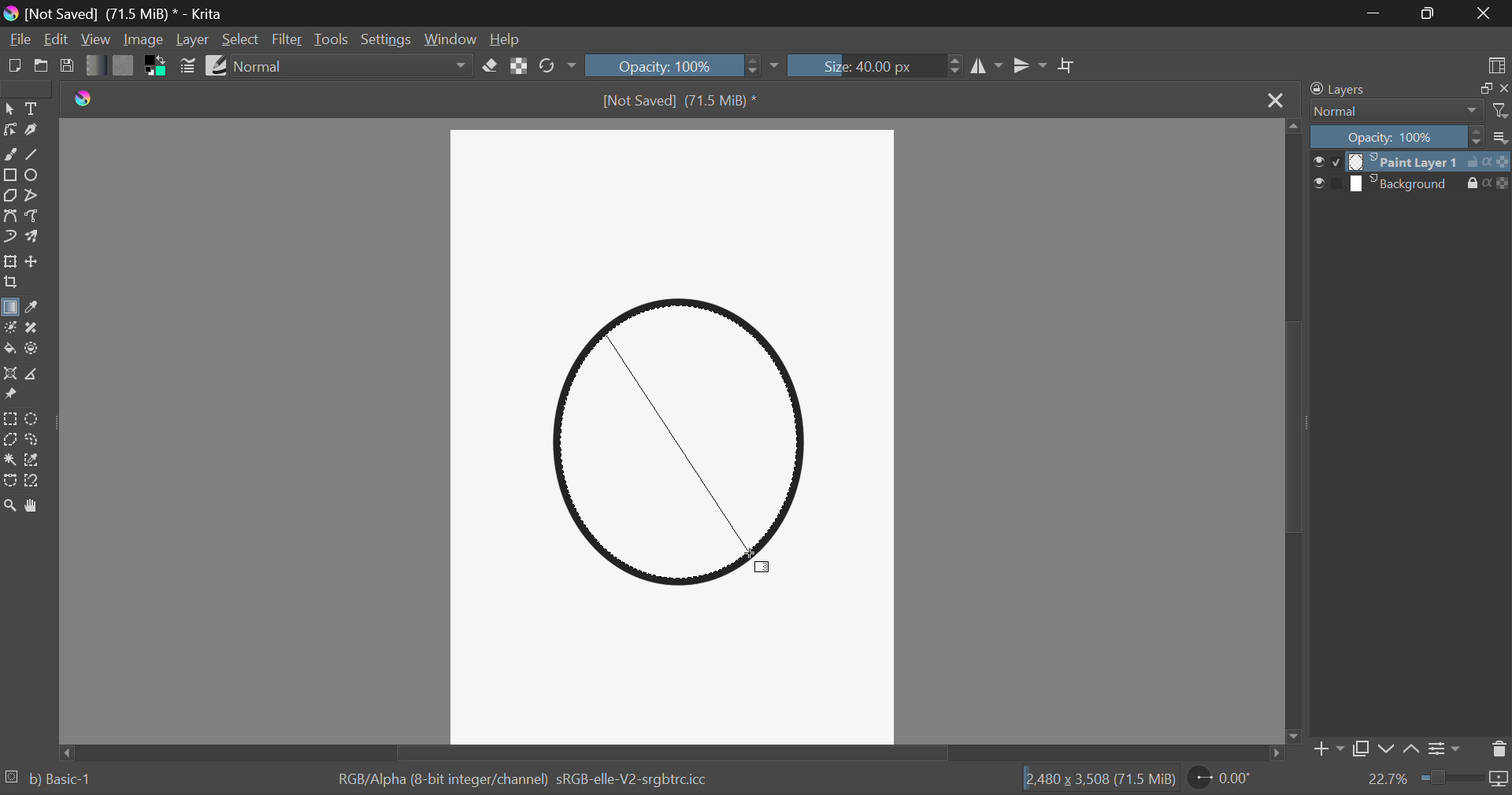  I want to click on actions, so click(1488, 183).